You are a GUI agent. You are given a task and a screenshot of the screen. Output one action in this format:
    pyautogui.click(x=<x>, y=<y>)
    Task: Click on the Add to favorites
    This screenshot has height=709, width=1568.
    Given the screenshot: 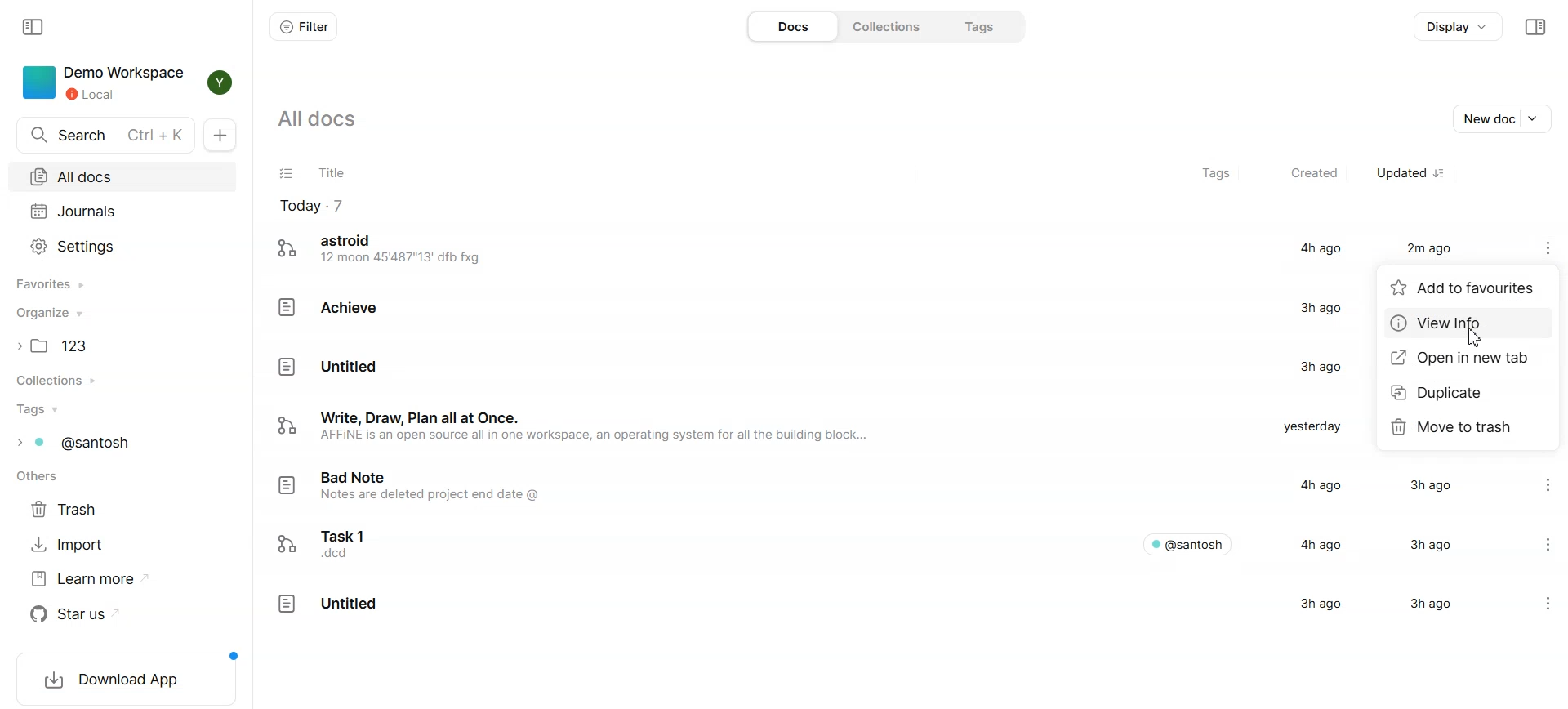 What is the action you would take?
    pyautogui.click(x=1468, y=290)
    